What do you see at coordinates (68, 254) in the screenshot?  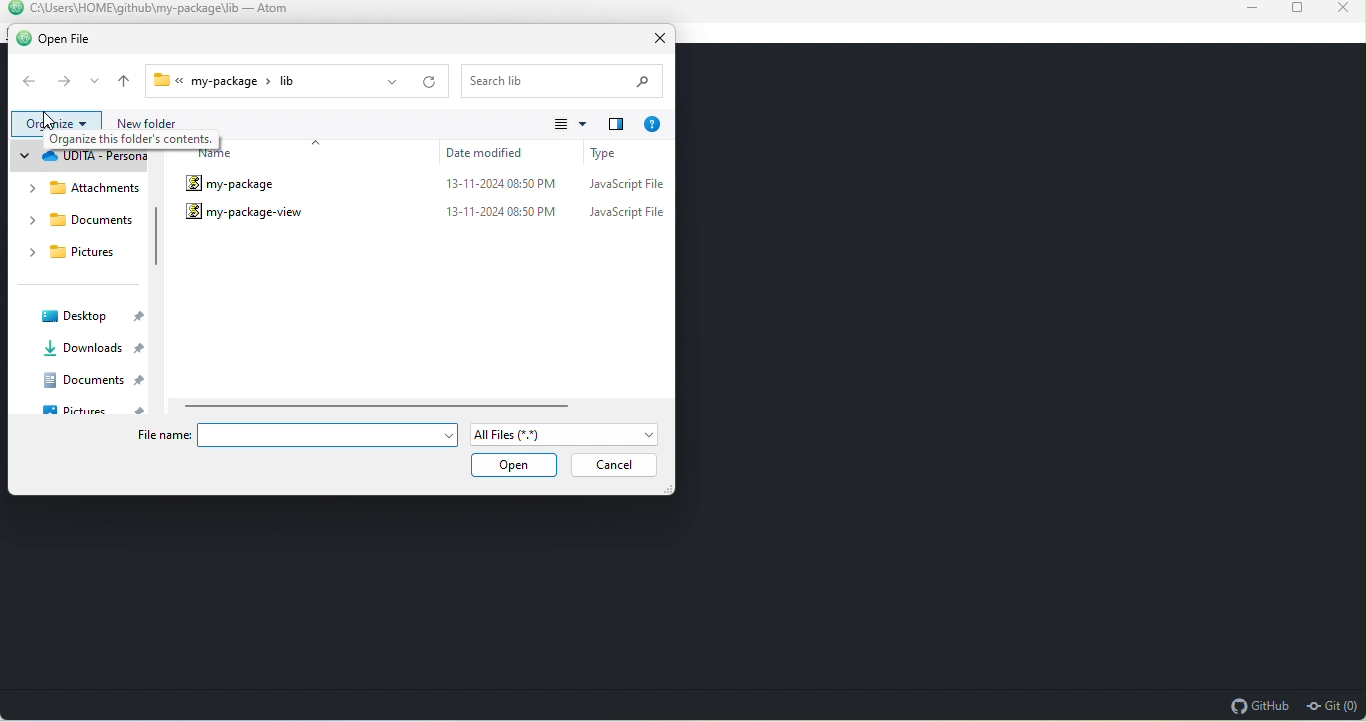 I see `pictures` at bounding box center [68, 254].